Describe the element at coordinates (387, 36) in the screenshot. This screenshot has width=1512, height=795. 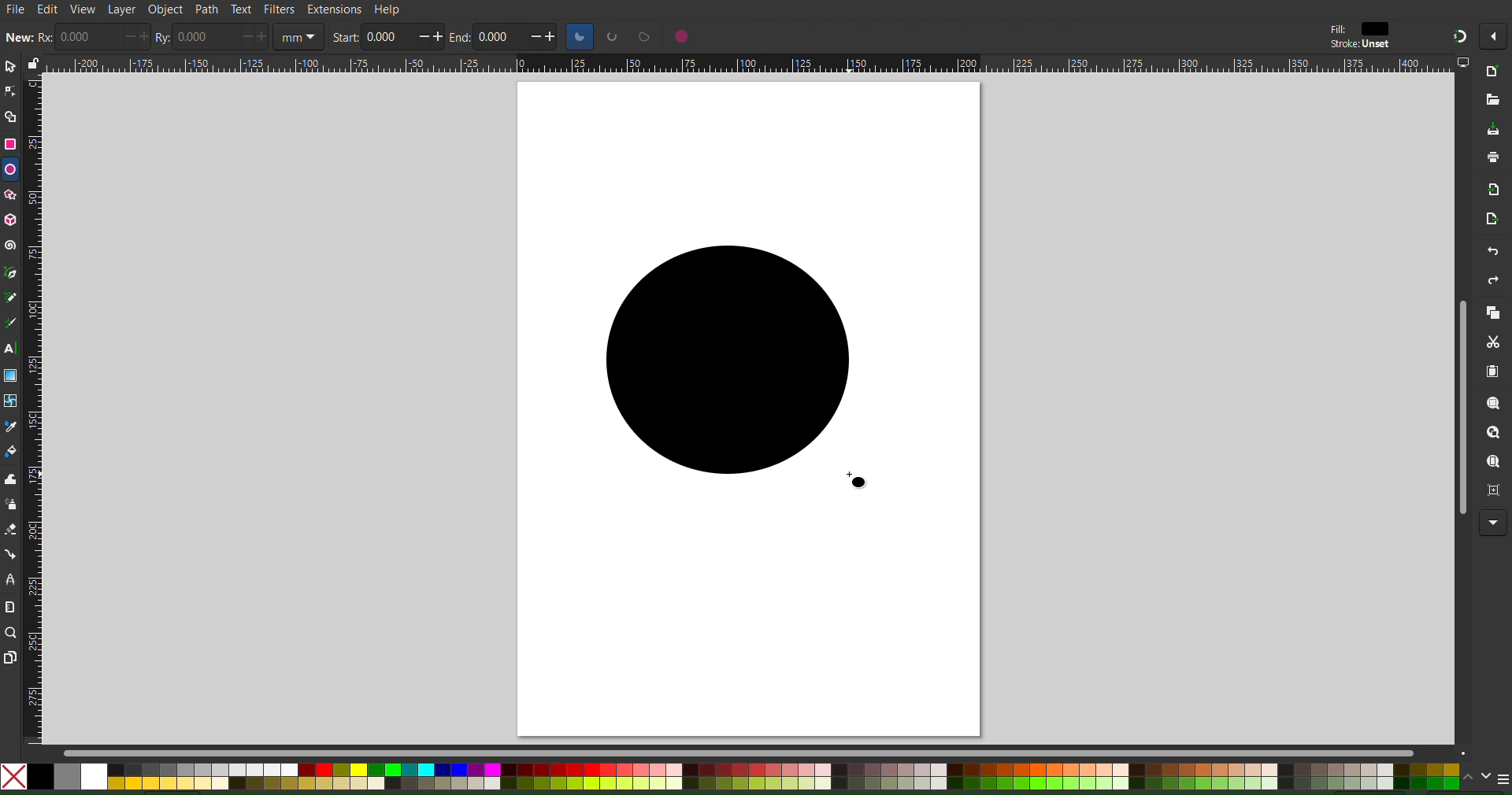
I see `0` at that location.